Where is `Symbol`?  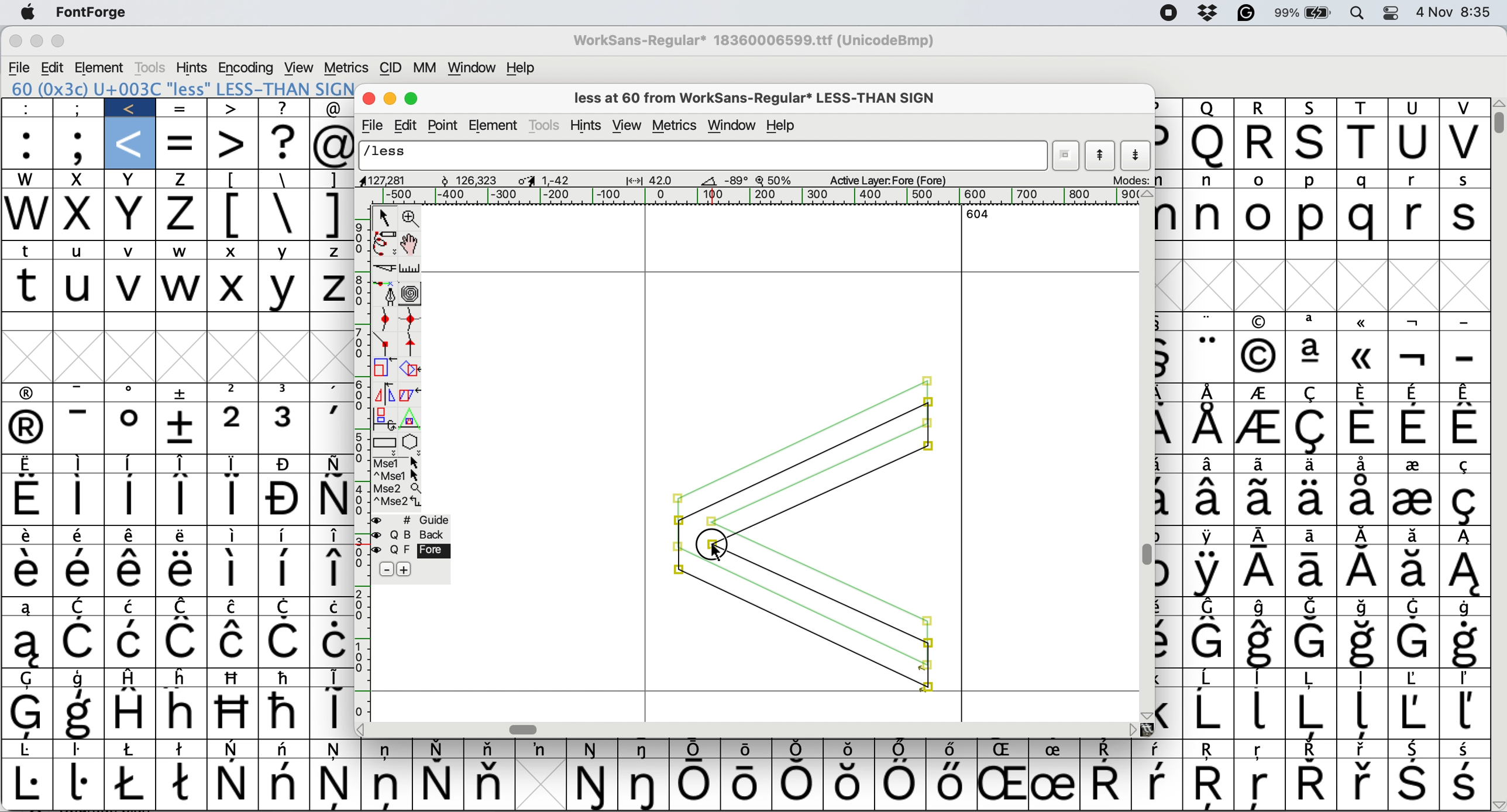
Symbol is located at coordinates (1412, 501).